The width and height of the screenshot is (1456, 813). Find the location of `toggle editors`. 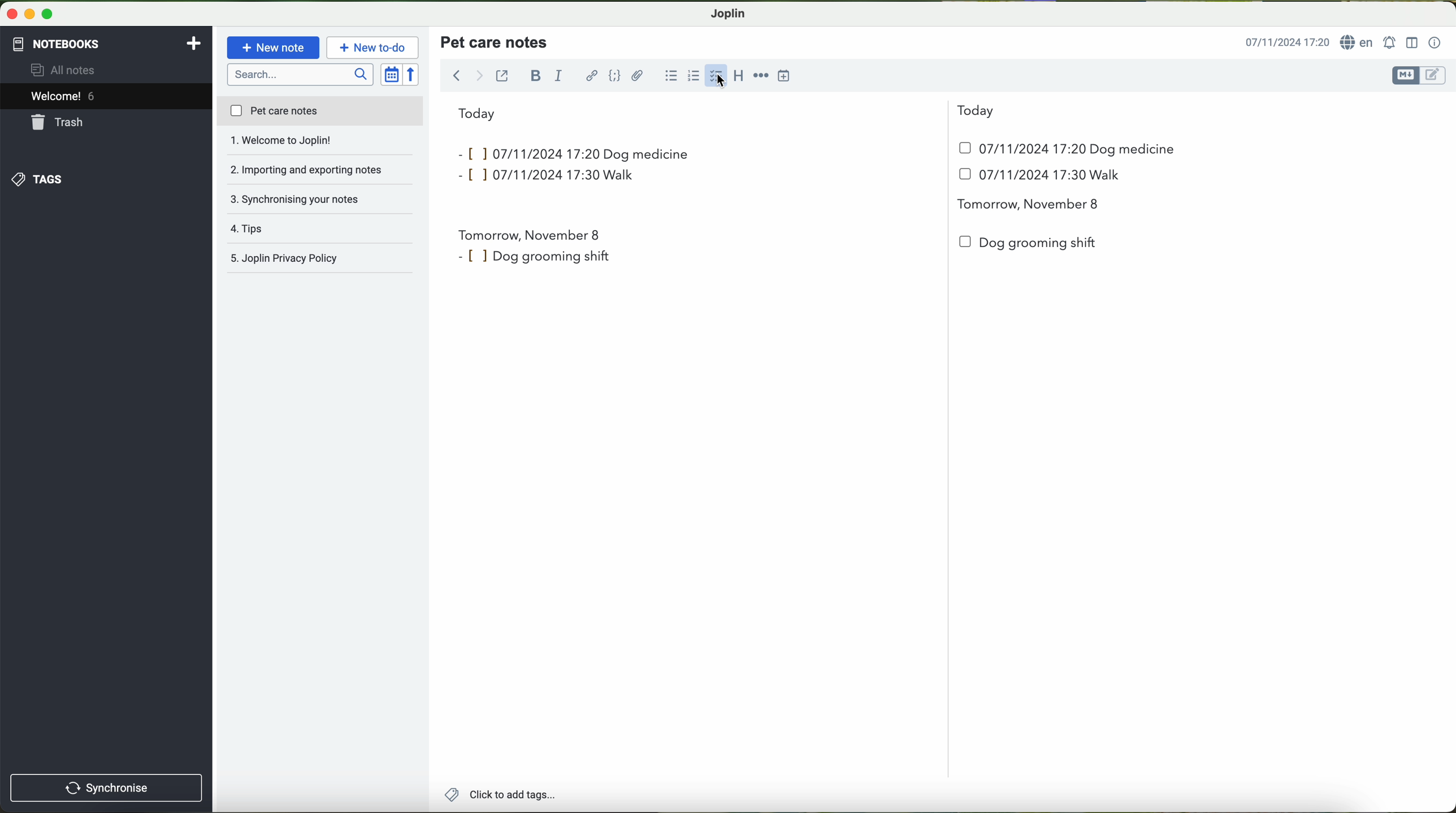

toggle editors is located at coordinates (1418, 76).